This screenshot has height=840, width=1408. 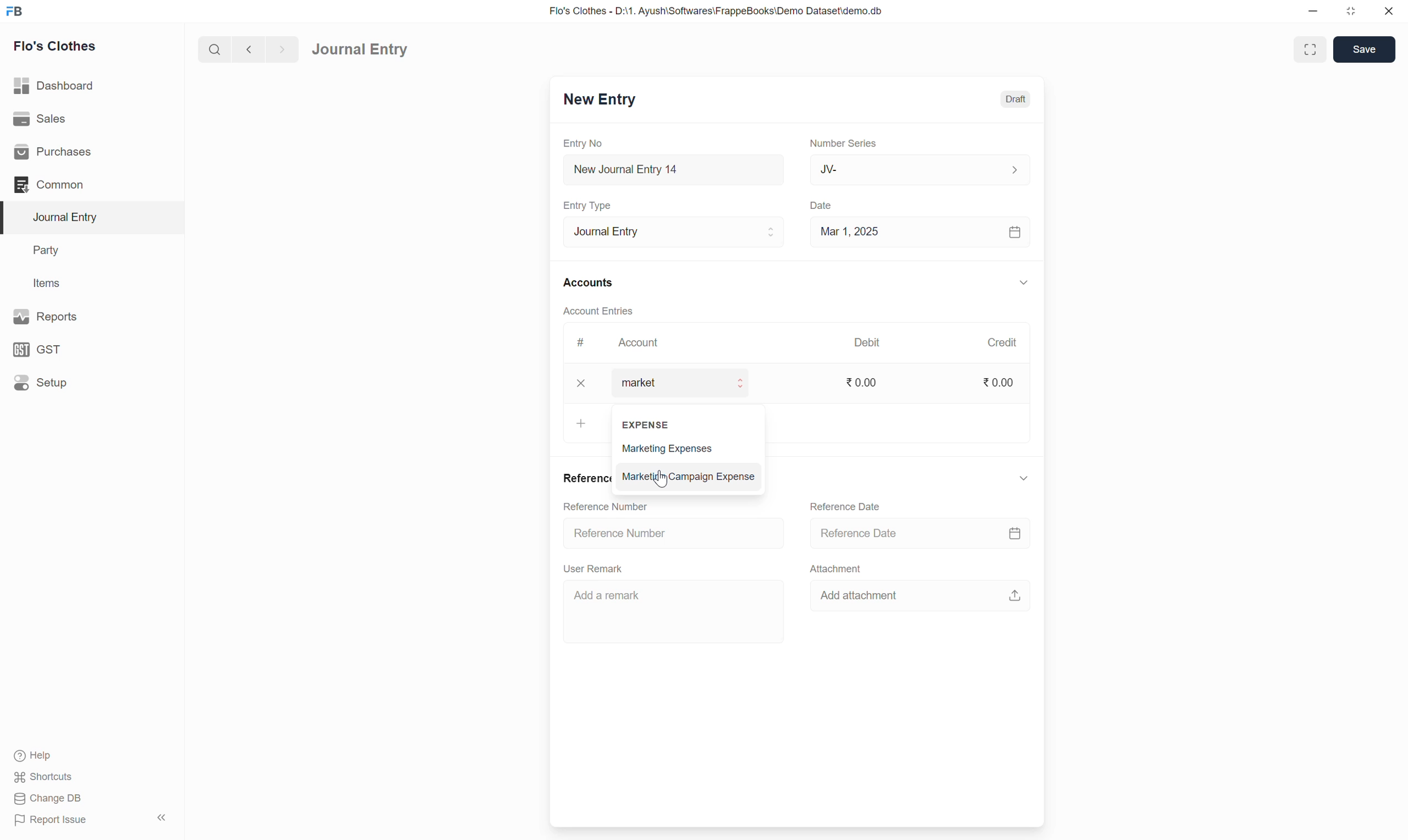 What do you see at coordinates (867, 341) in the screenshot?
I see `Debit` at bounding box center [867, 341].